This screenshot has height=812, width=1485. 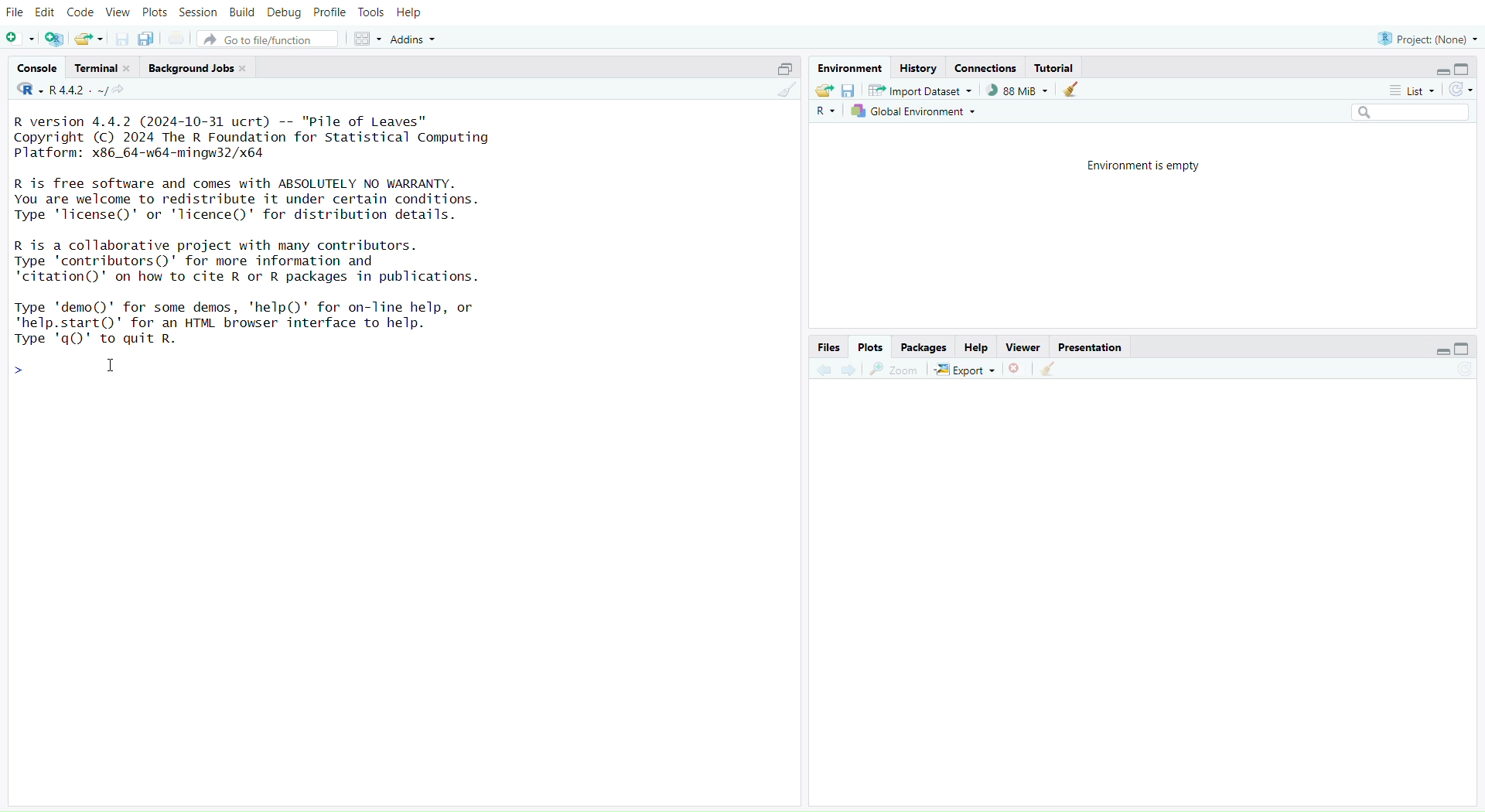 I want to click on prompt cursor, so click(x=18, y=367).